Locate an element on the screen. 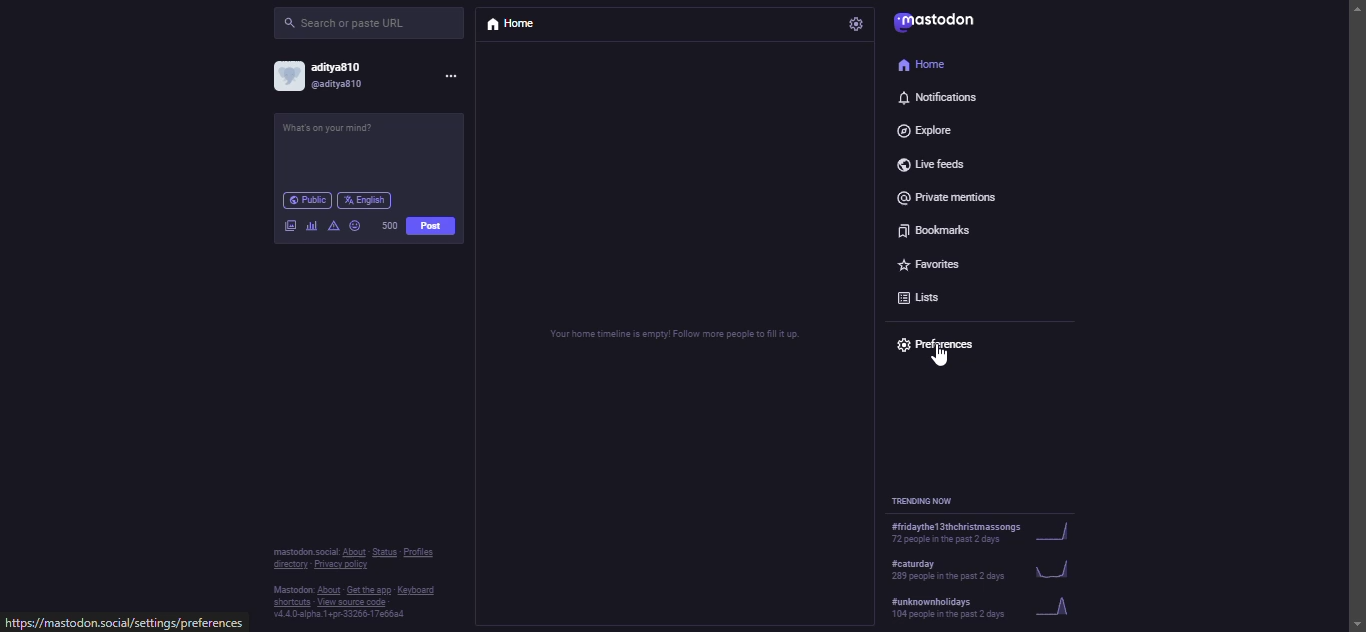  cursor is located at coordinates (935, 356).